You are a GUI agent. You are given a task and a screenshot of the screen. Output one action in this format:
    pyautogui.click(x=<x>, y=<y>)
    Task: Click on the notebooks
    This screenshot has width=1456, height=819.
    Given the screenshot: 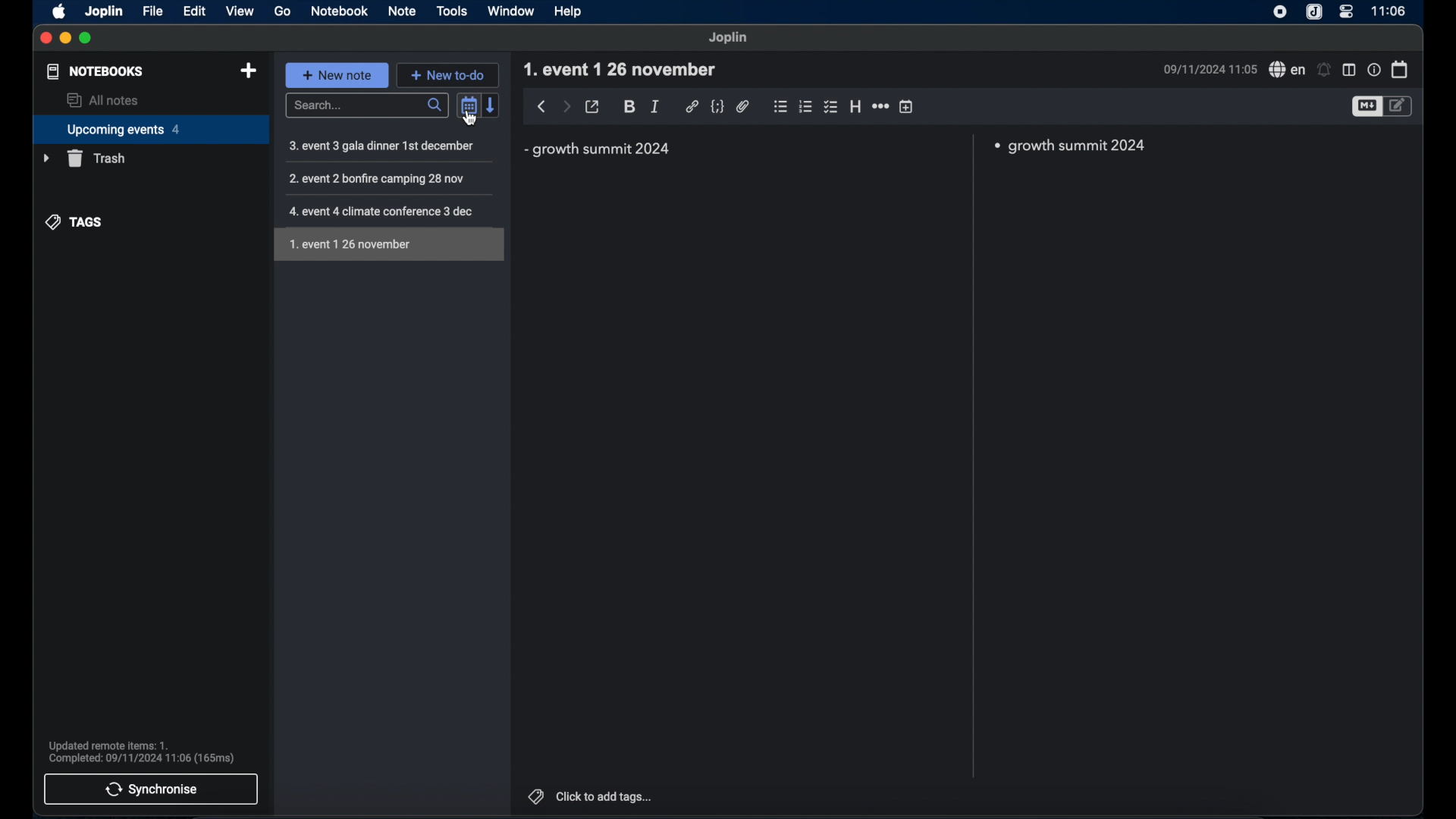 What is the action you would take?
    pyautogui.click(x=96, y=71)
    